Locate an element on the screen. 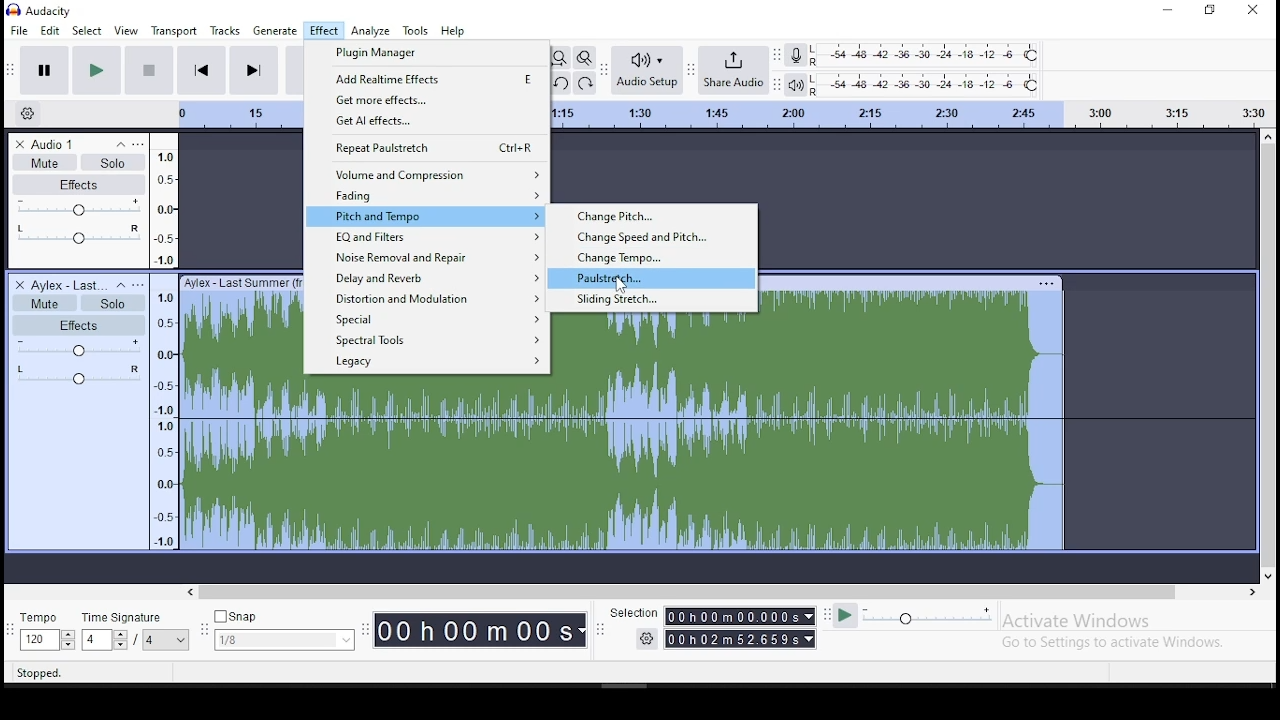  record mixer is located at coordinates (795, 56).